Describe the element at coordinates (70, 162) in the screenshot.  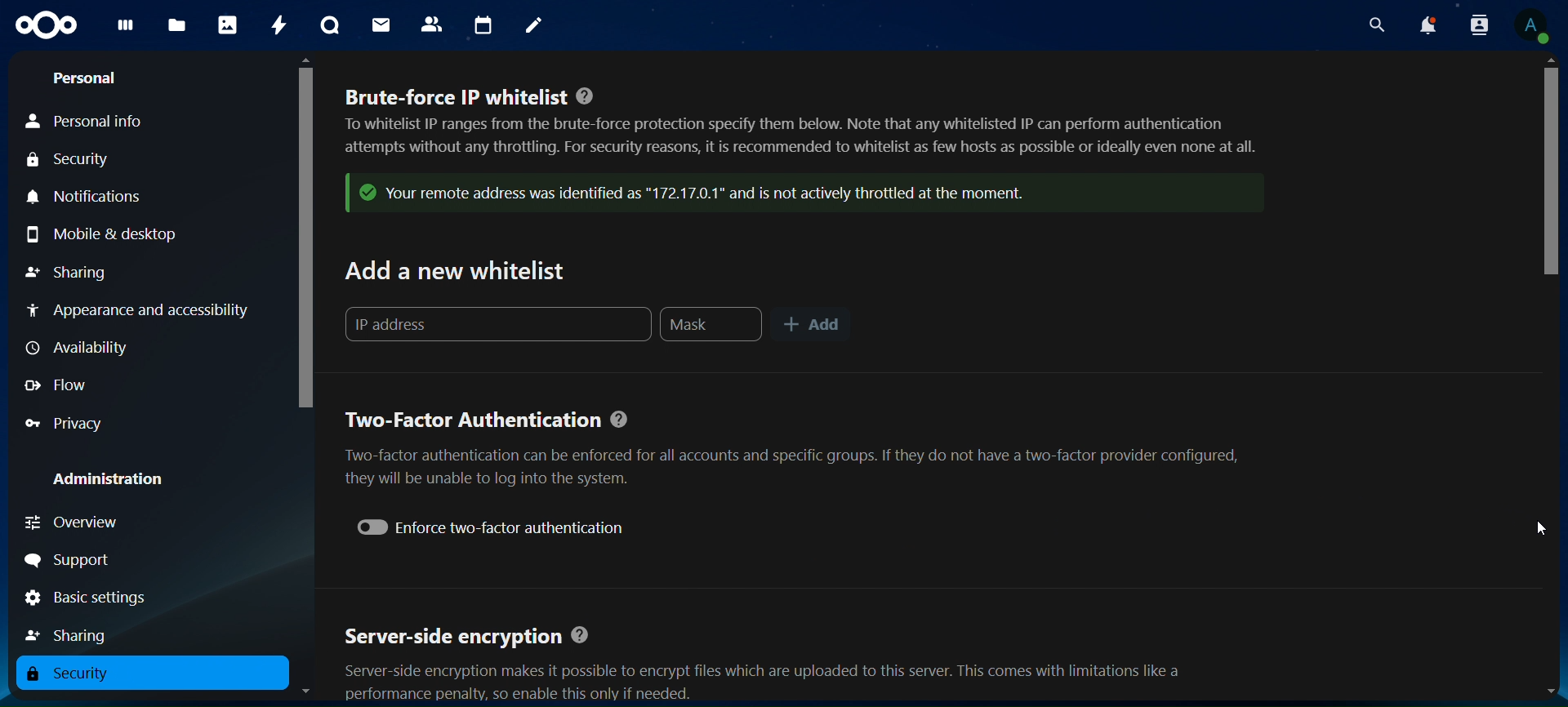
I see `security` at that location.